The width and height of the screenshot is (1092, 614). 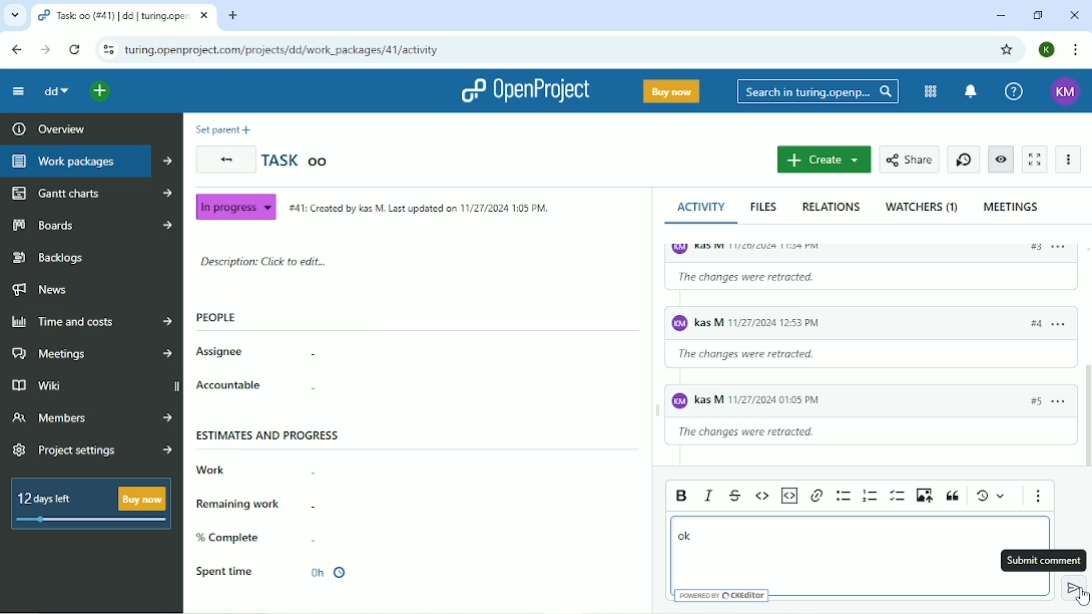 What do you see at coordinates (751, 402) in the screenshot?
I see `KM Kas M 11/26/2024 01:05 PM` at bounding box center [751, 402].